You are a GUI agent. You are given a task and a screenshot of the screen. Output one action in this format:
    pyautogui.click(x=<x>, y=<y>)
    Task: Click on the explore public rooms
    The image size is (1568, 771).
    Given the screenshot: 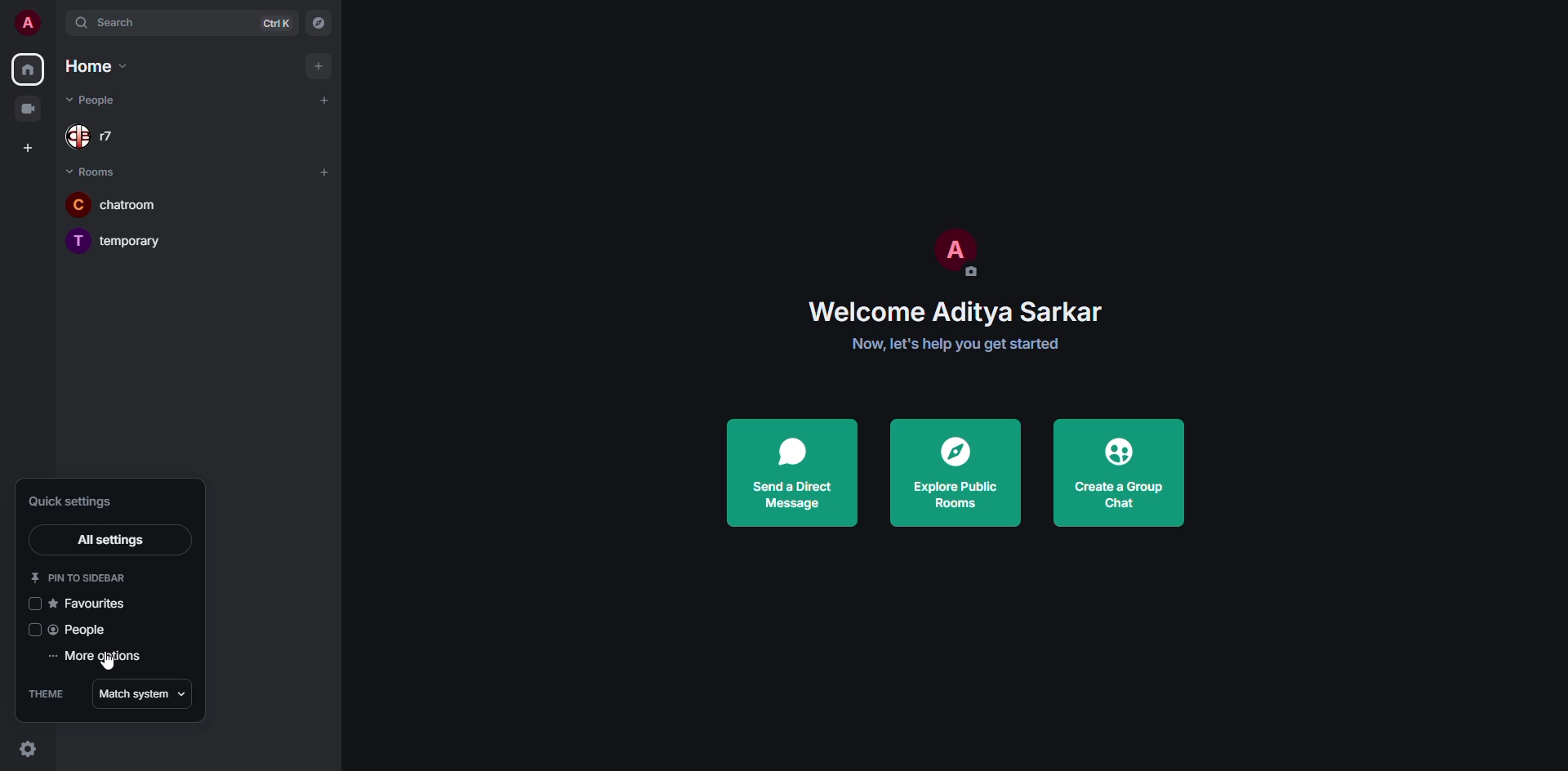 What is the action you would take?
    pyautogui.click(x=951, y=473)
    